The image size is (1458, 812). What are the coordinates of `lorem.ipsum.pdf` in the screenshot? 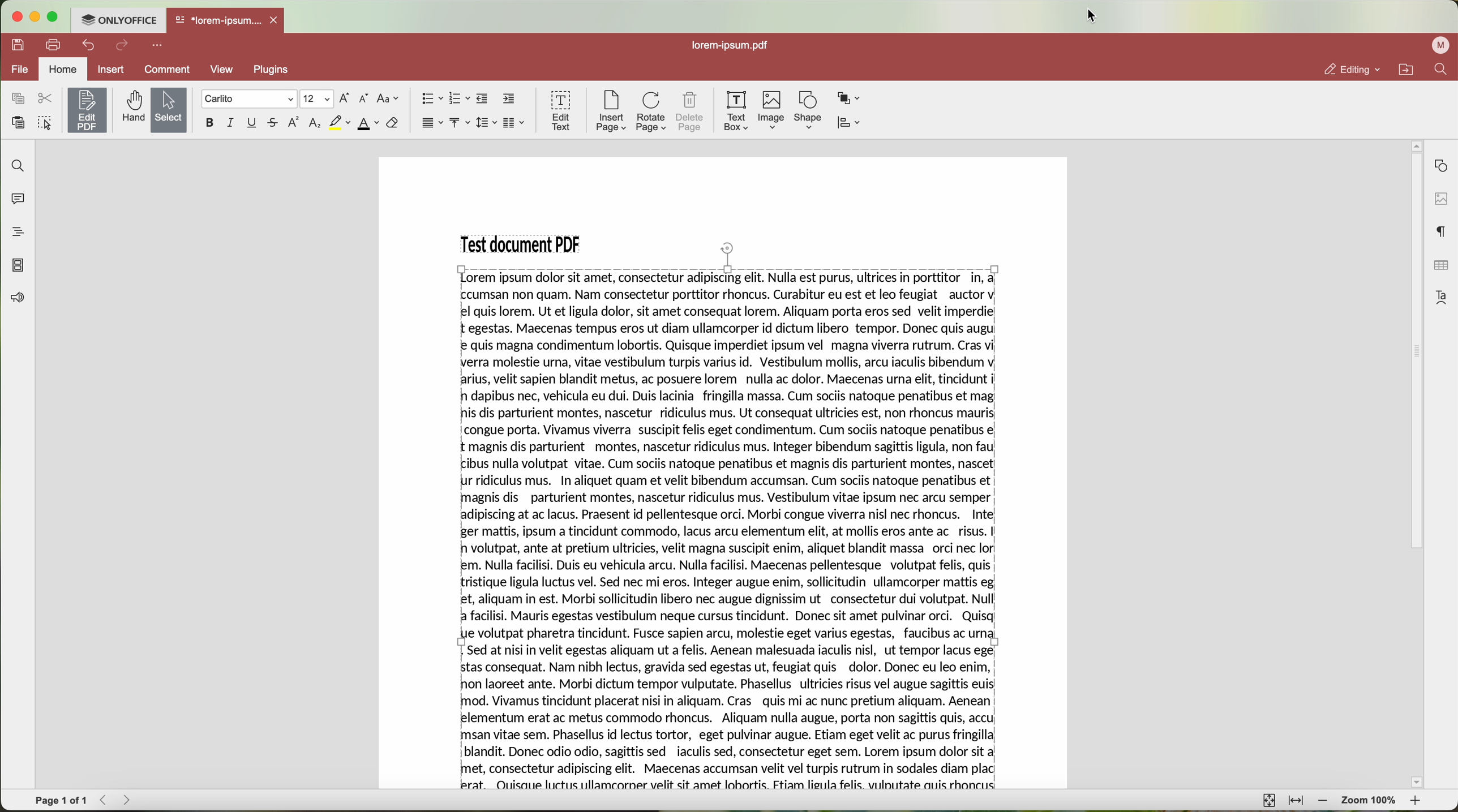 It's located at (734, 46).